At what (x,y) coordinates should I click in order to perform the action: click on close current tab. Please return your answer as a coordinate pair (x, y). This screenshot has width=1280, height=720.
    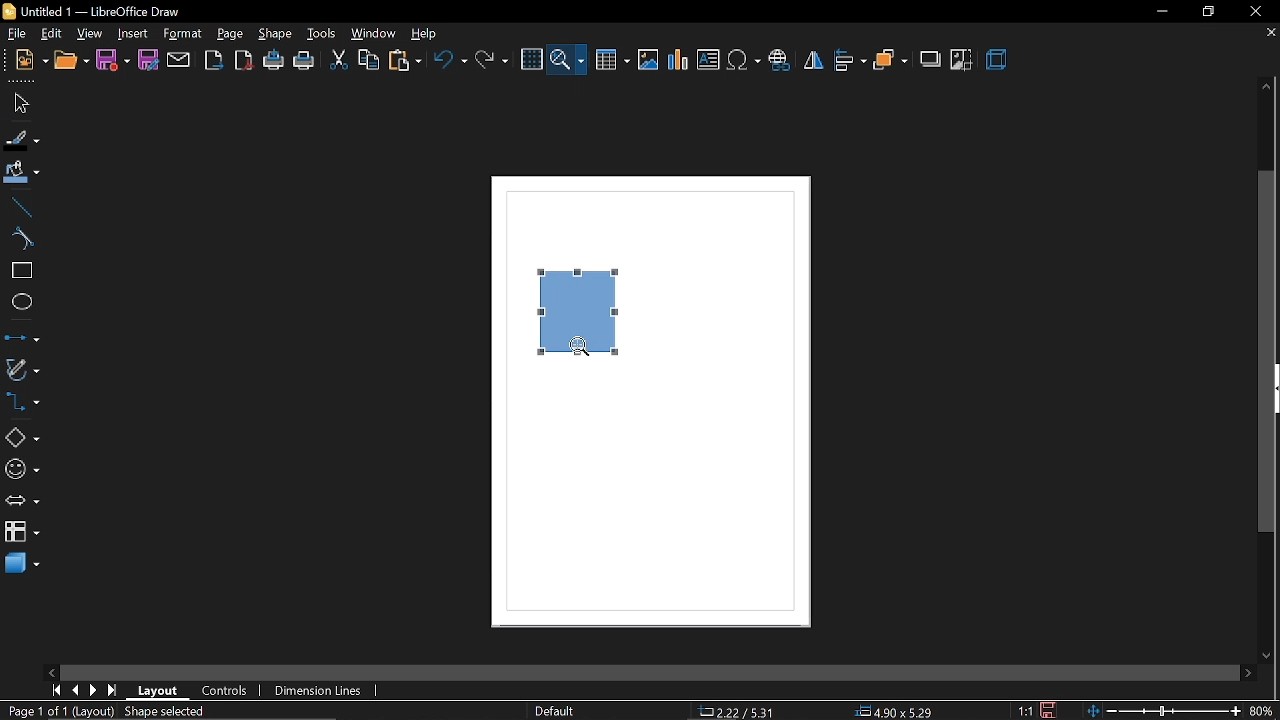
    Looking at the image, I should click on (1266, 36).